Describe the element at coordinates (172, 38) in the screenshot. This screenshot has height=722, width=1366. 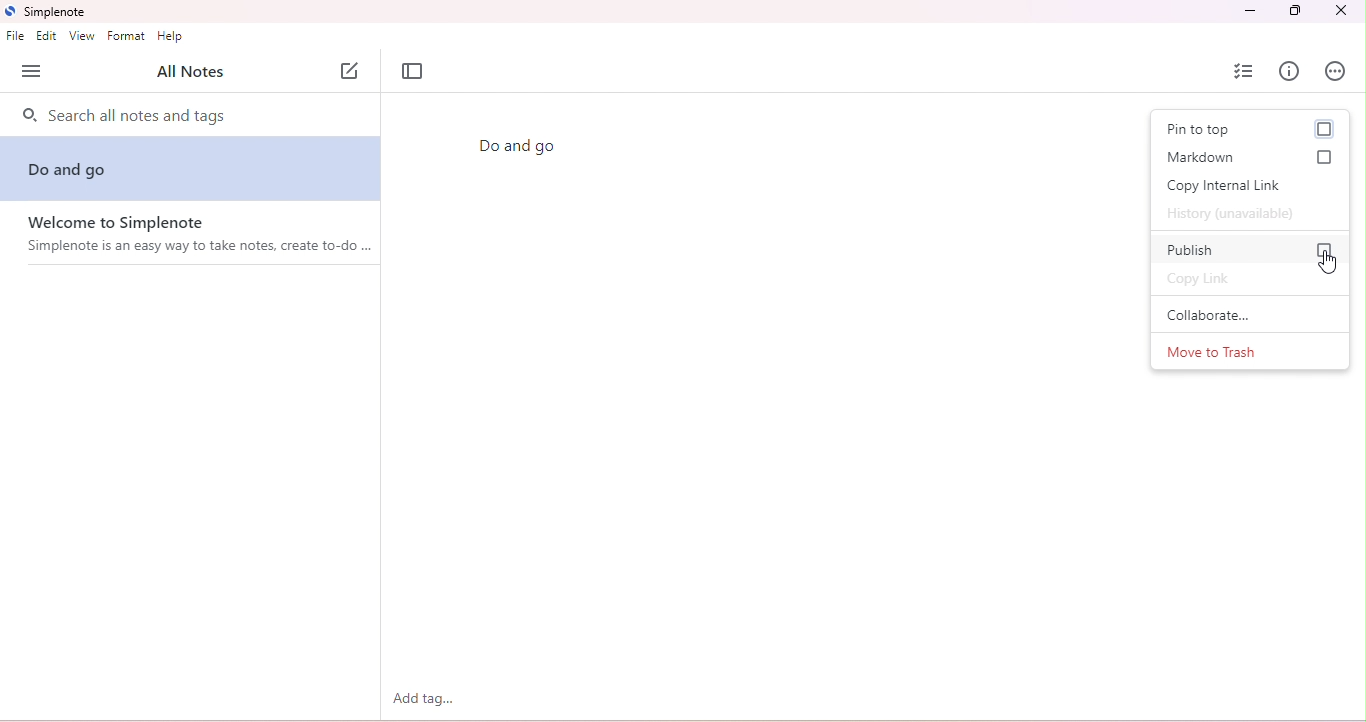
I see `help` at that location.